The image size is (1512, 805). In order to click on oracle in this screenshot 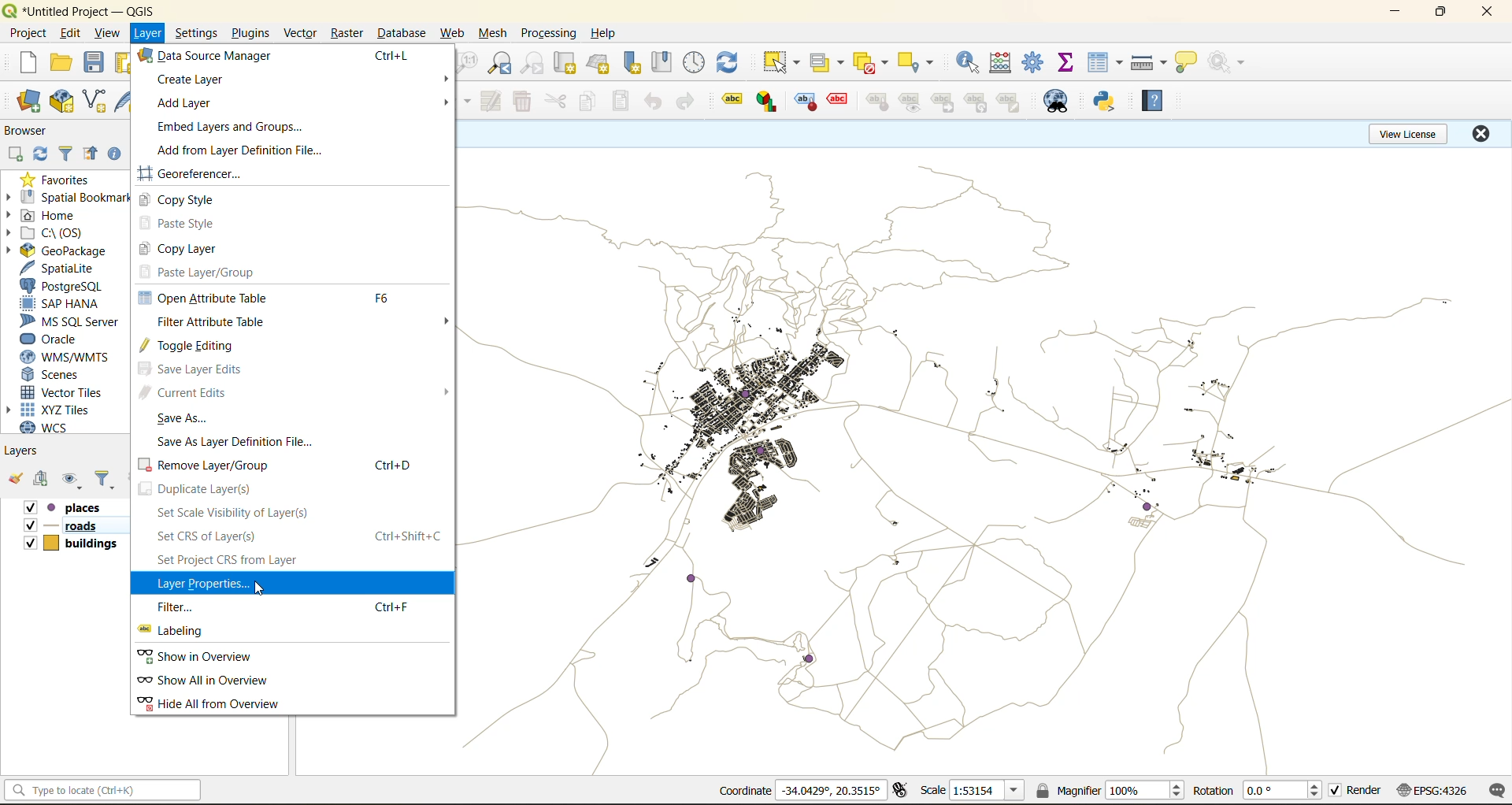, I will do `click(60, 338)`.